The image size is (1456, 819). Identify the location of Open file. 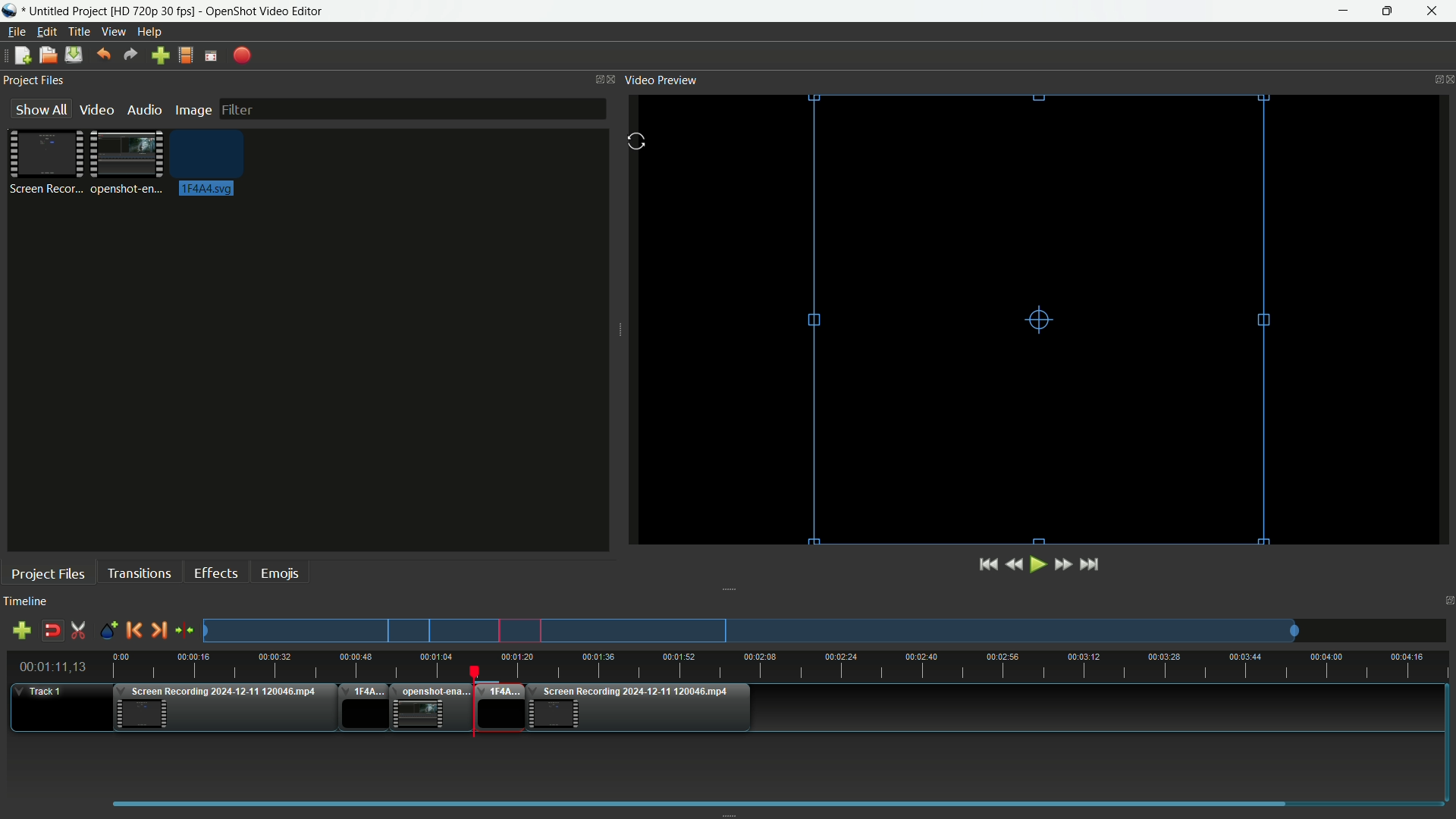
(47, 57).